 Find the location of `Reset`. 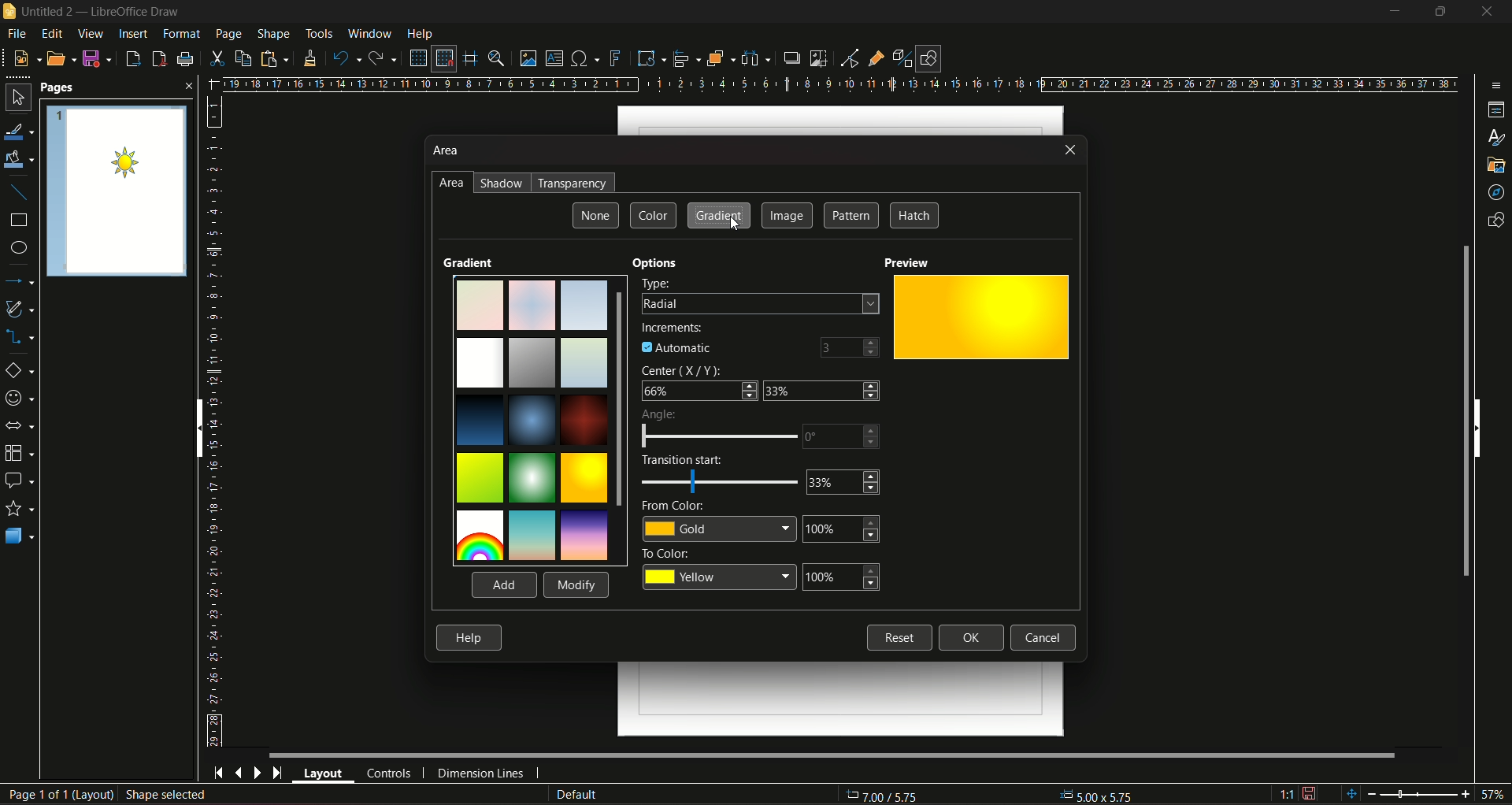

Reset is located at coordinates (899, 639).